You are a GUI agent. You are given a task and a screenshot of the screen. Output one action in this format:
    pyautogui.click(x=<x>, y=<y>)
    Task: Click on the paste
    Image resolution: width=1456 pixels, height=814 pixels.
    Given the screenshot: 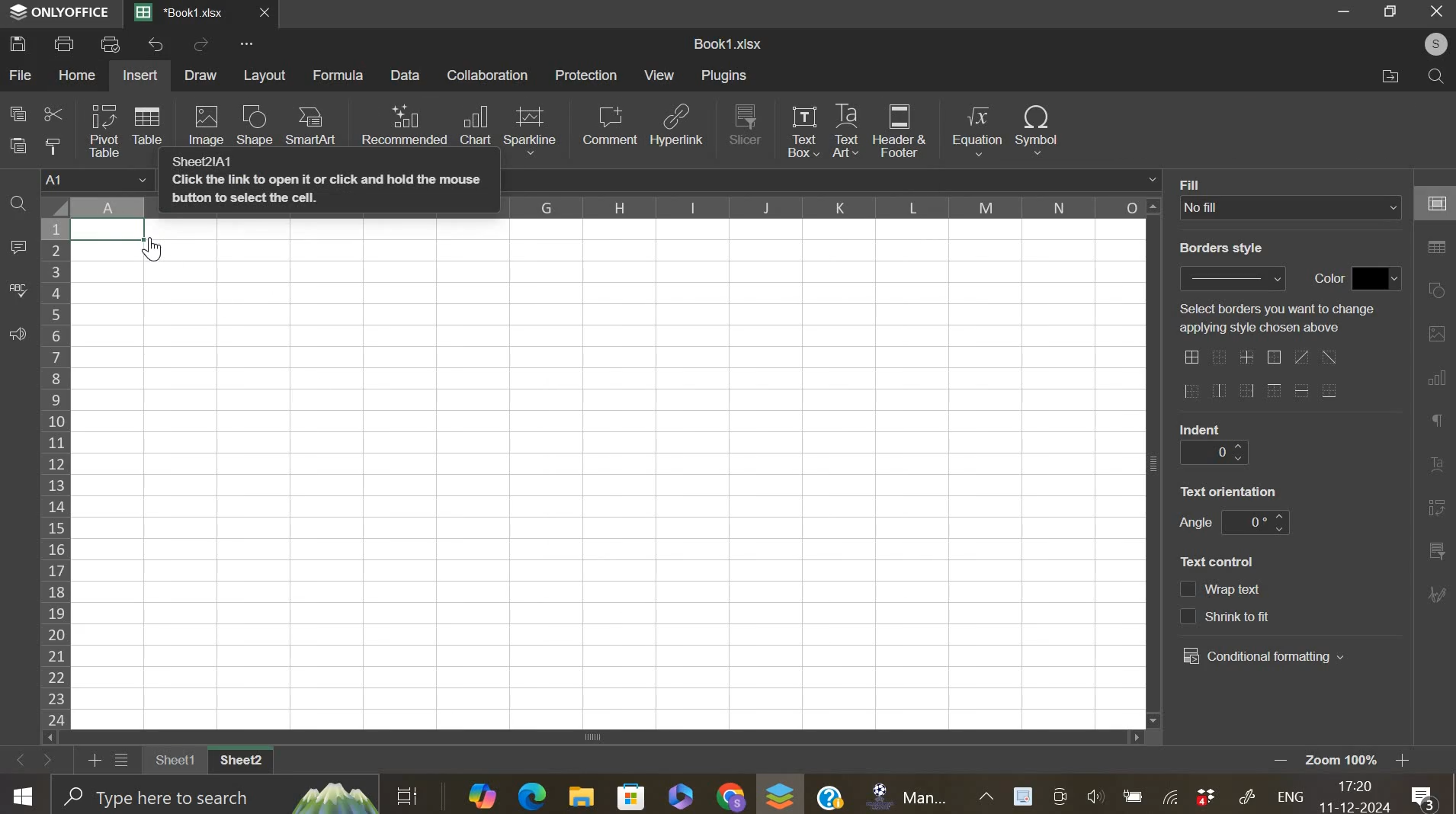 What is the action you would take?
    pyautogui.click(x=20, y=146)
    